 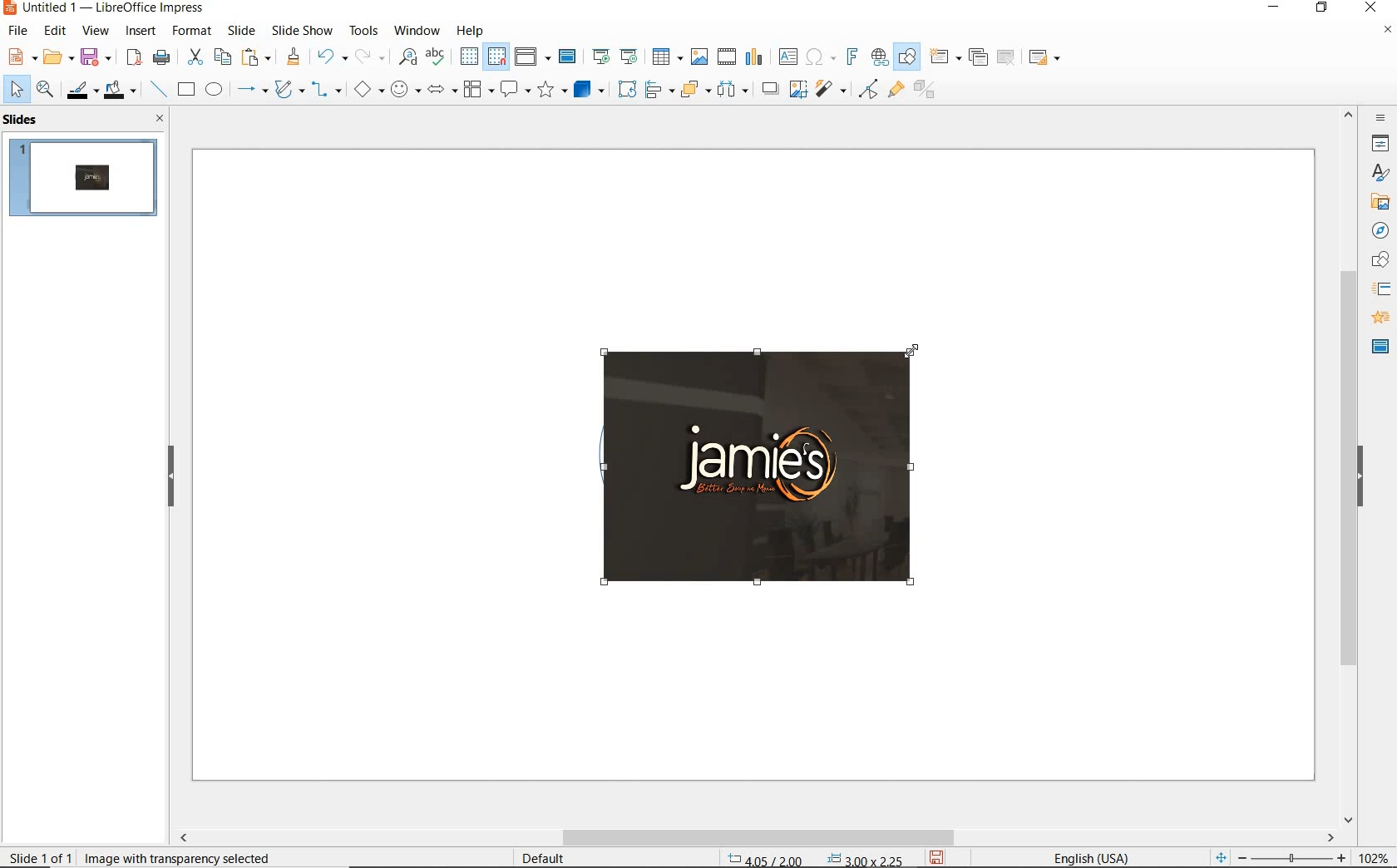 I want to click on Text language, so click(x=1088, y=856).